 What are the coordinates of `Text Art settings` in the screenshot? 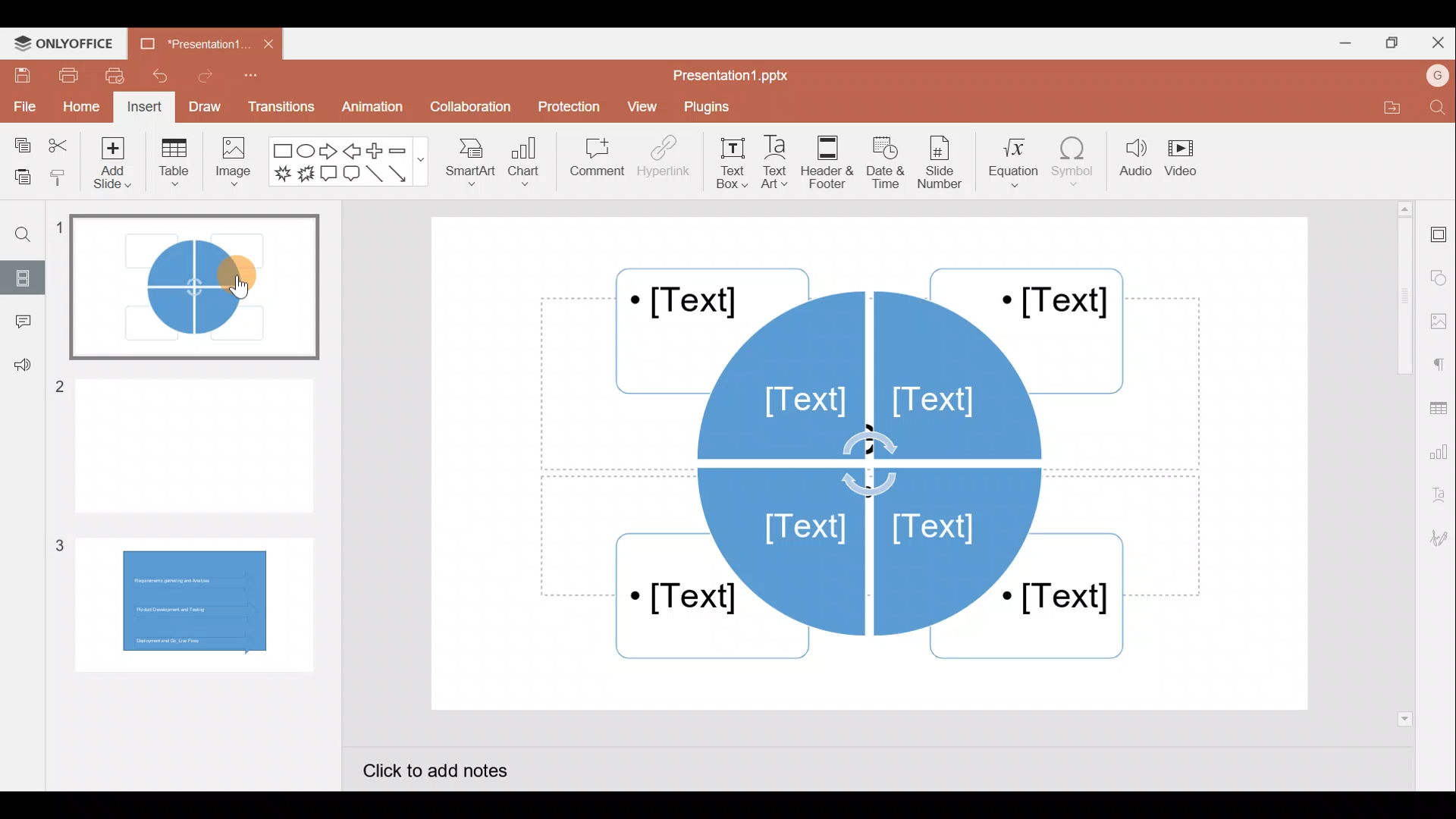 It's located at (1437, 500).